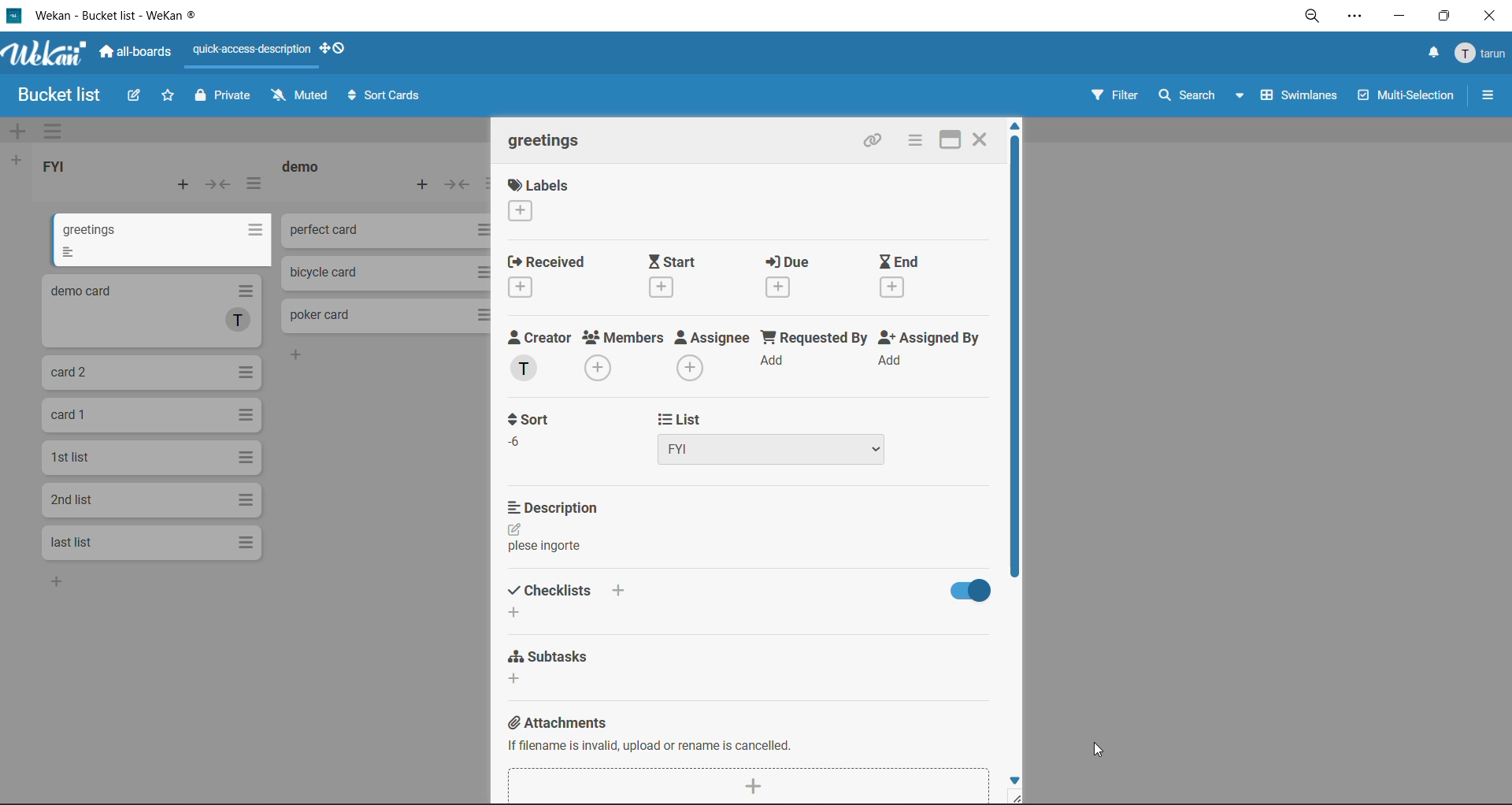 The width and height of the screenshot is (1512, 805). What do you see at coordinates (650, 746) in the screenshot?
I see `if filename is invalid, upload or rename is cancelled` at bounding box center [650, 746].